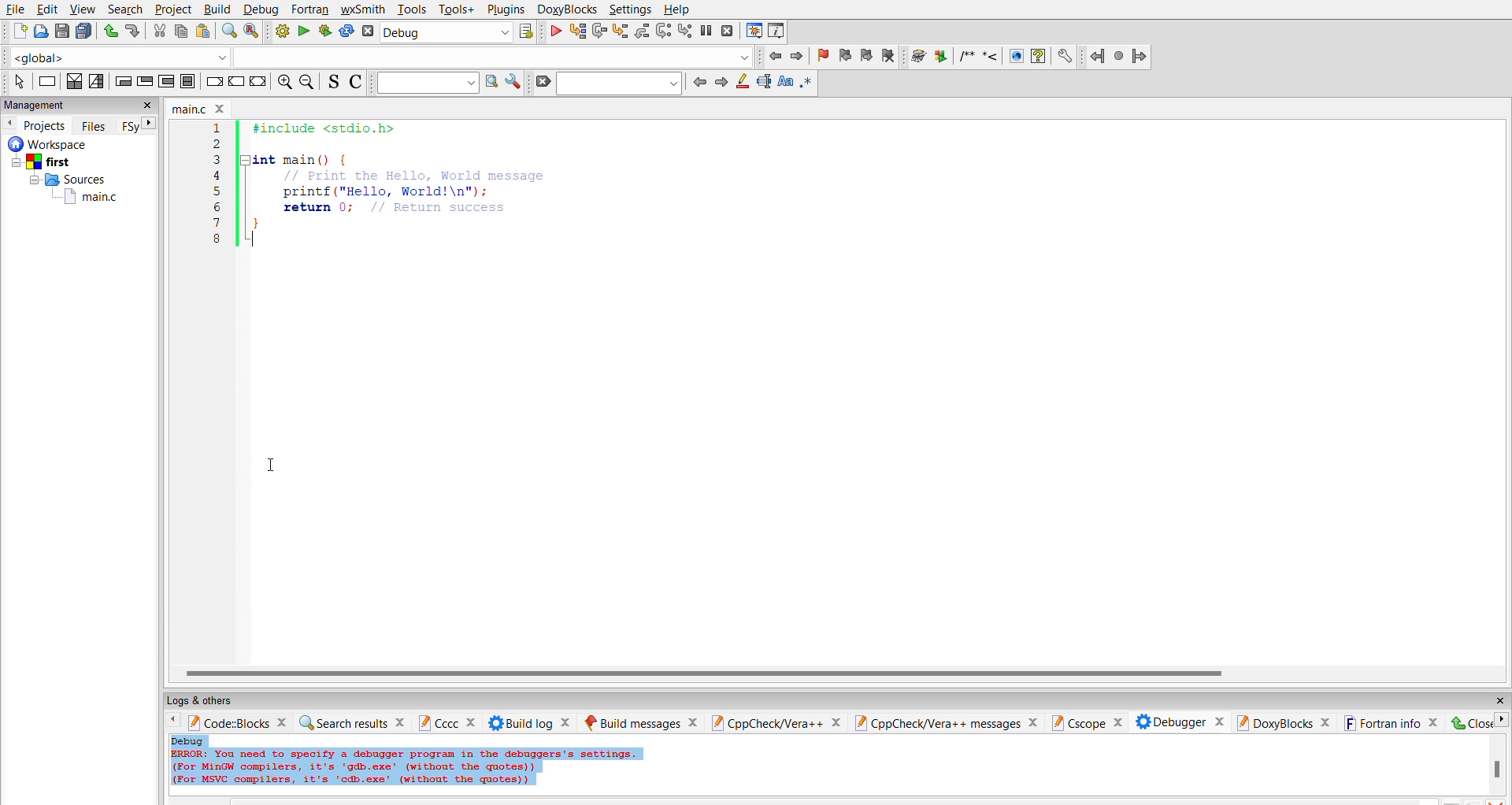 The height and width of the screenshot is (805, 1512). Describe the element at coordinates (754, 31) in the screenshot. I see `debugging windows` at that location.